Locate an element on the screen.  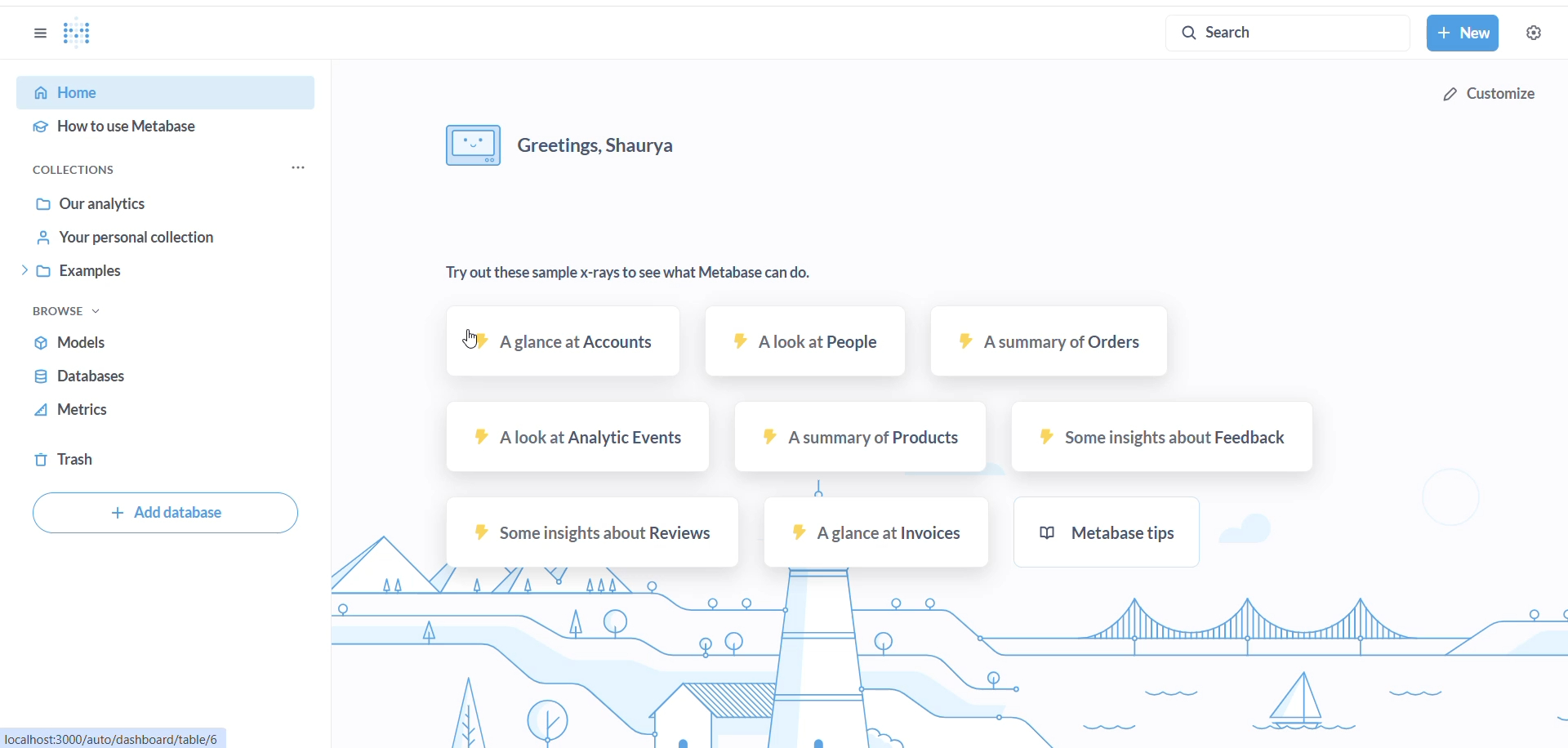
URL is located at coordinates (118, 737).